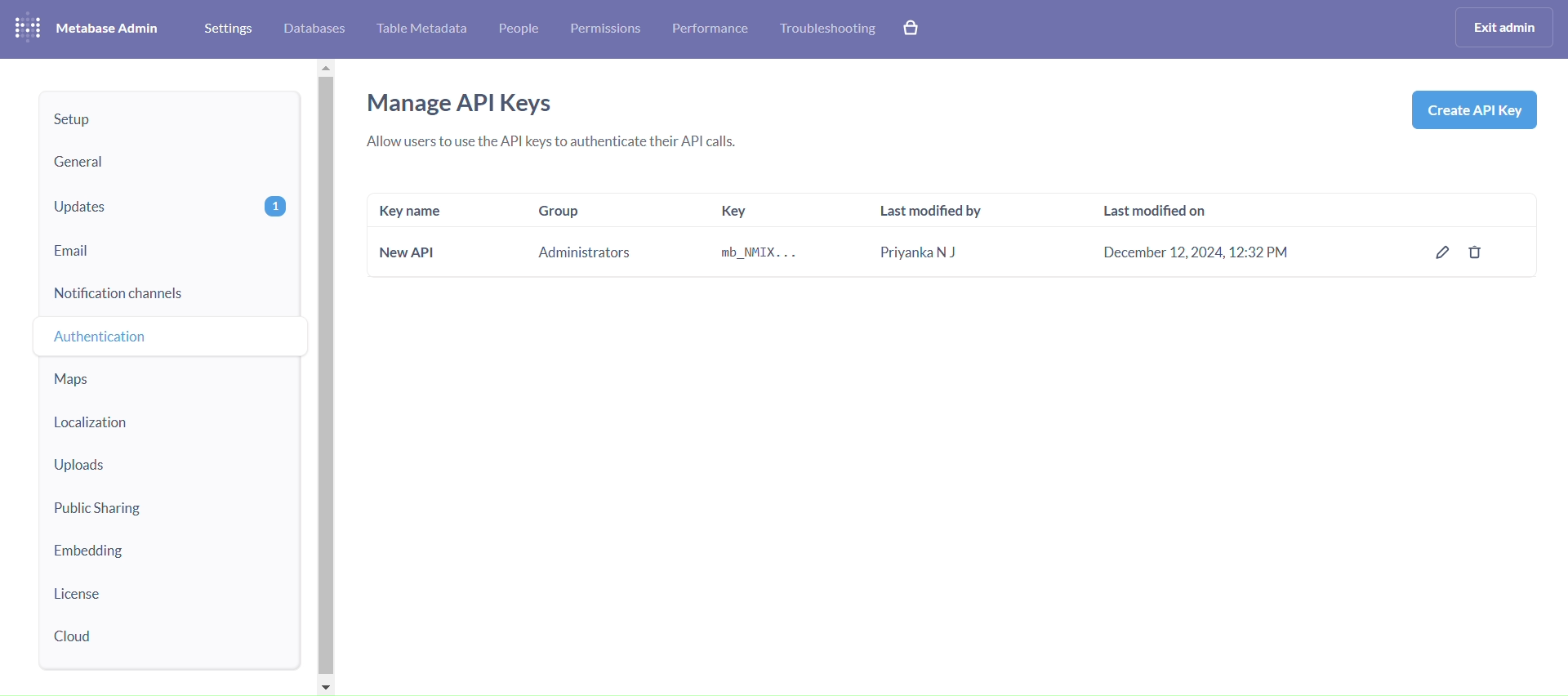  Describe the element at coordinates (169, 292) in the screenshot. I see `notification channels` at that location.